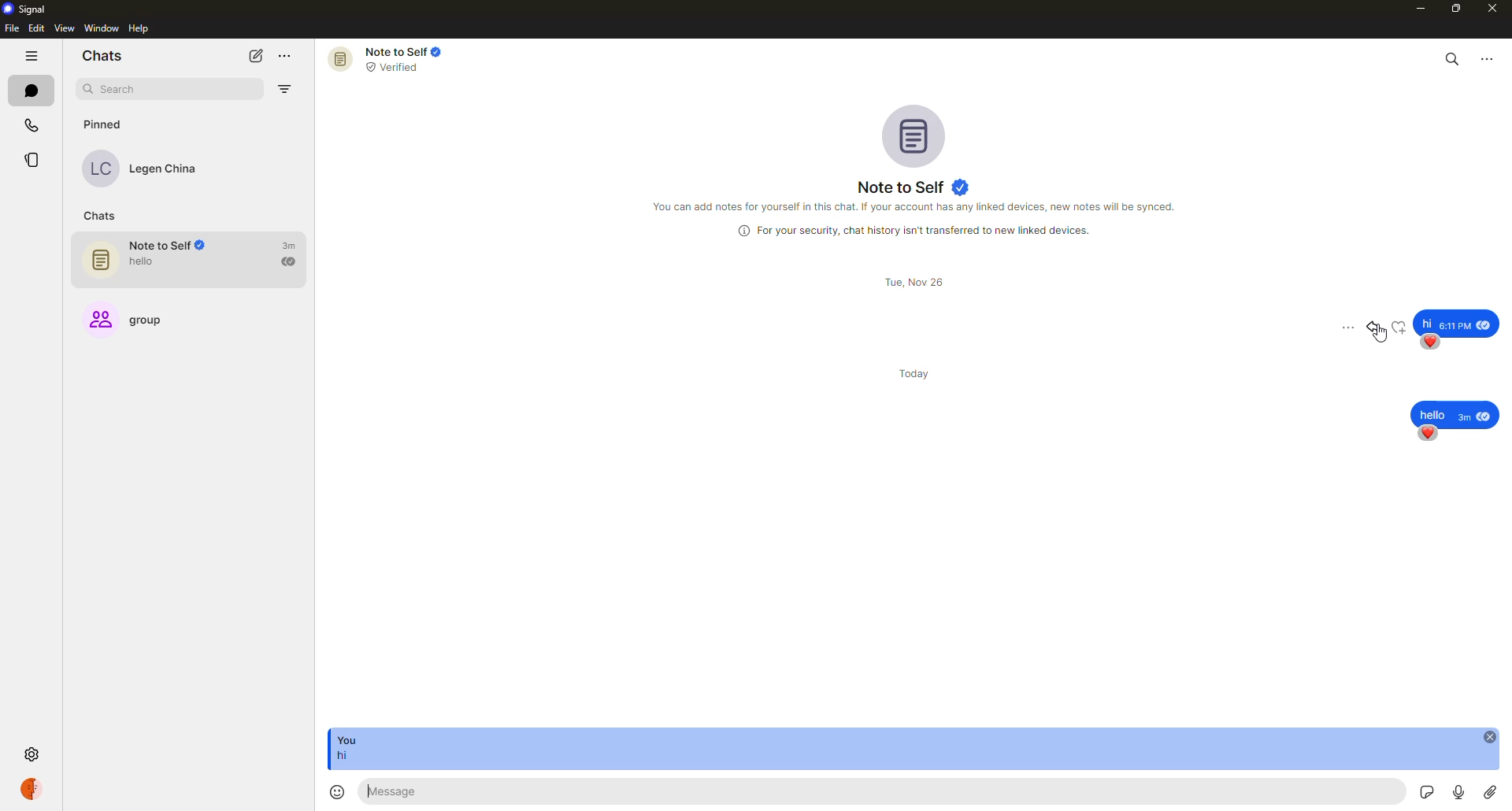 The width and height of the screenshot is (1512, 811). Describe the element at coordinates (99, 215) in the screenshot. I see `chats` at that location.